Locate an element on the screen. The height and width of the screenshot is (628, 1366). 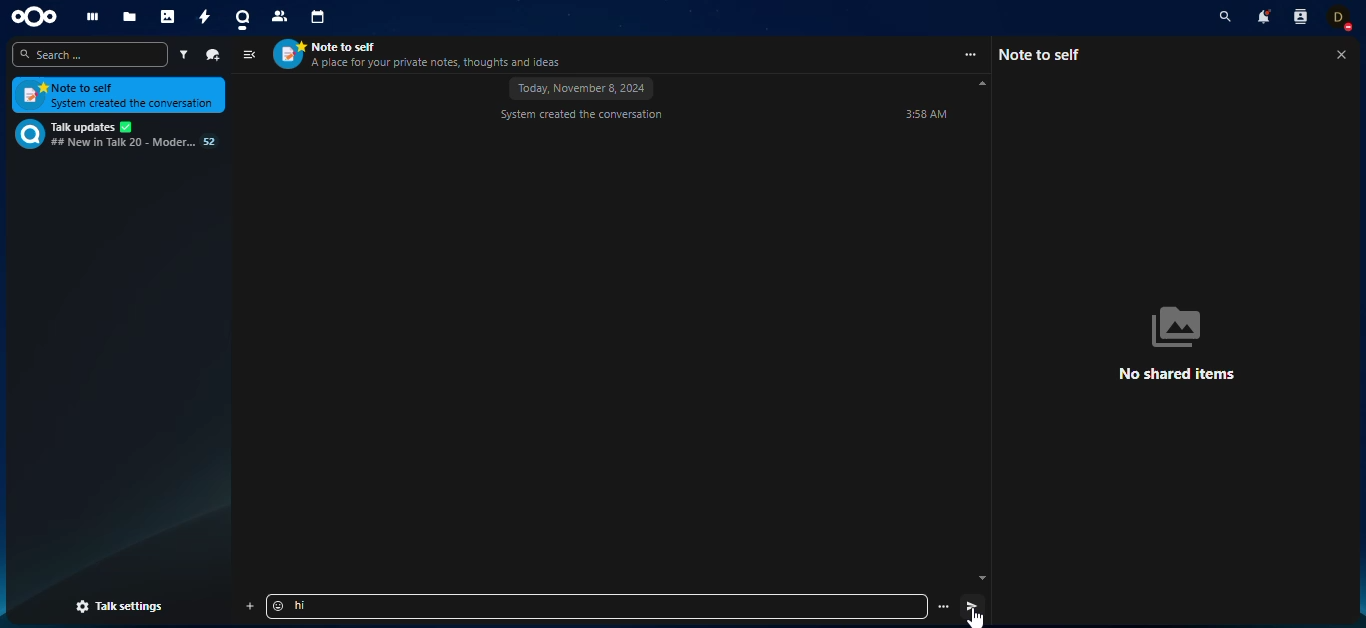
send is located at coordinates (971, 605).